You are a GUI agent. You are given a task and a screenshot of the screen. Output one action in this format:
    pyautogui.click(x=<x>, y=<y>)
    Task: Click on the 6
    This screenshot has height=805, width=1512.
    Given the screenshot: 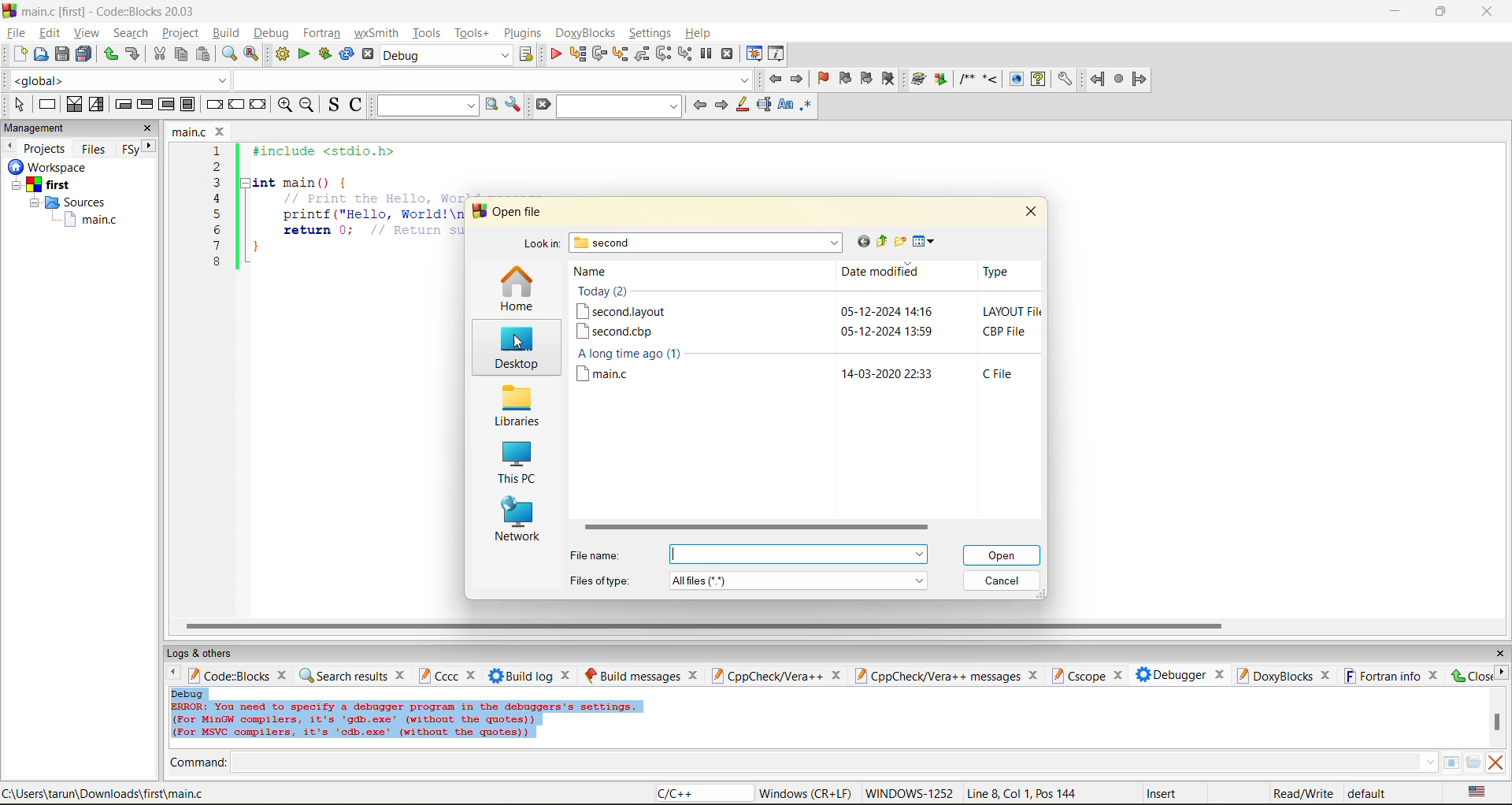 What is the action you would take?
    pyautogui.click(x=217, y=229)
    